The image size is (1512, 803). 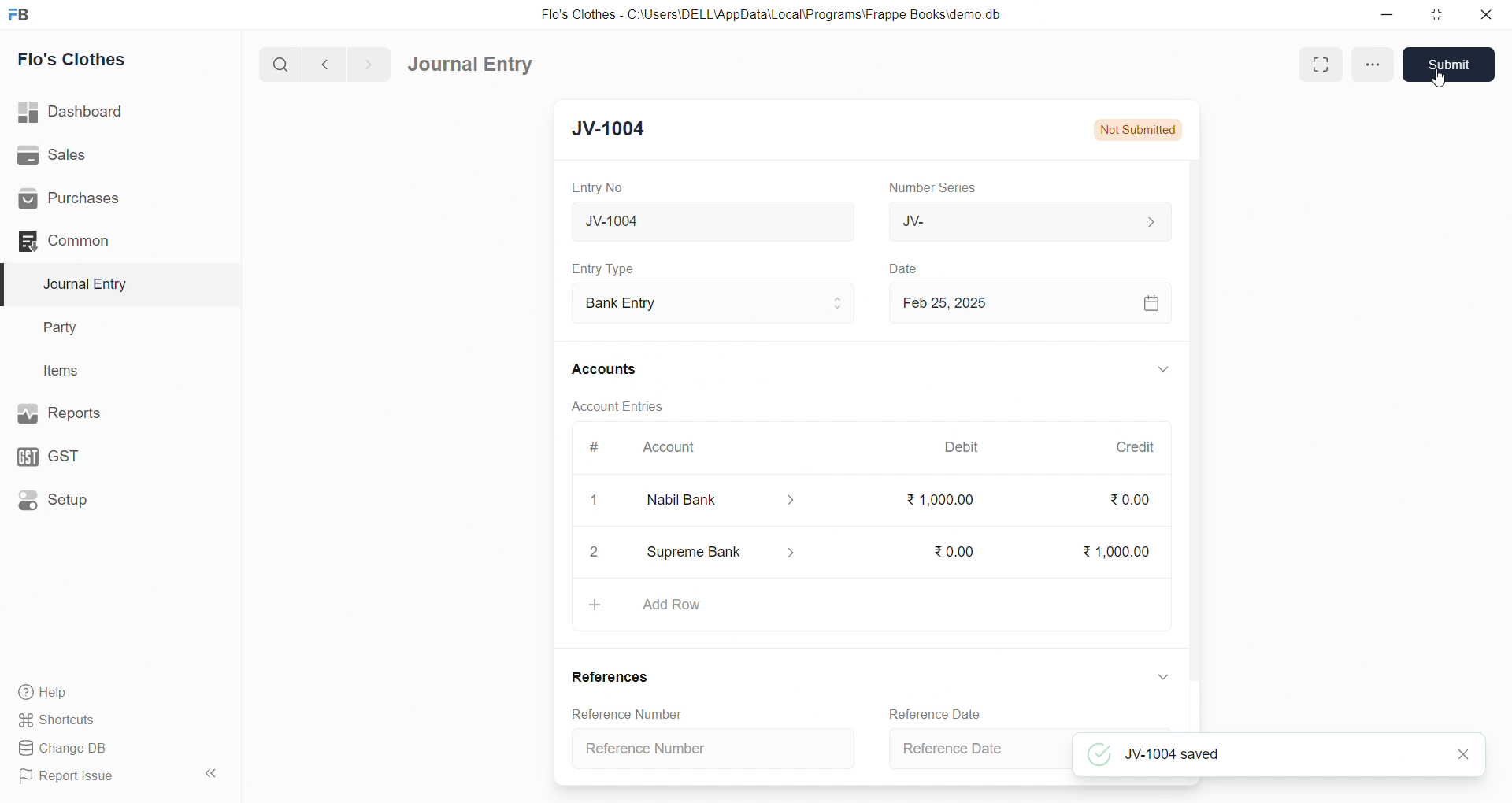 What do you see at coordinates (1128, 503) in the screenshot?
I see `₹ 0.00` at bounding box center [1128, 503].